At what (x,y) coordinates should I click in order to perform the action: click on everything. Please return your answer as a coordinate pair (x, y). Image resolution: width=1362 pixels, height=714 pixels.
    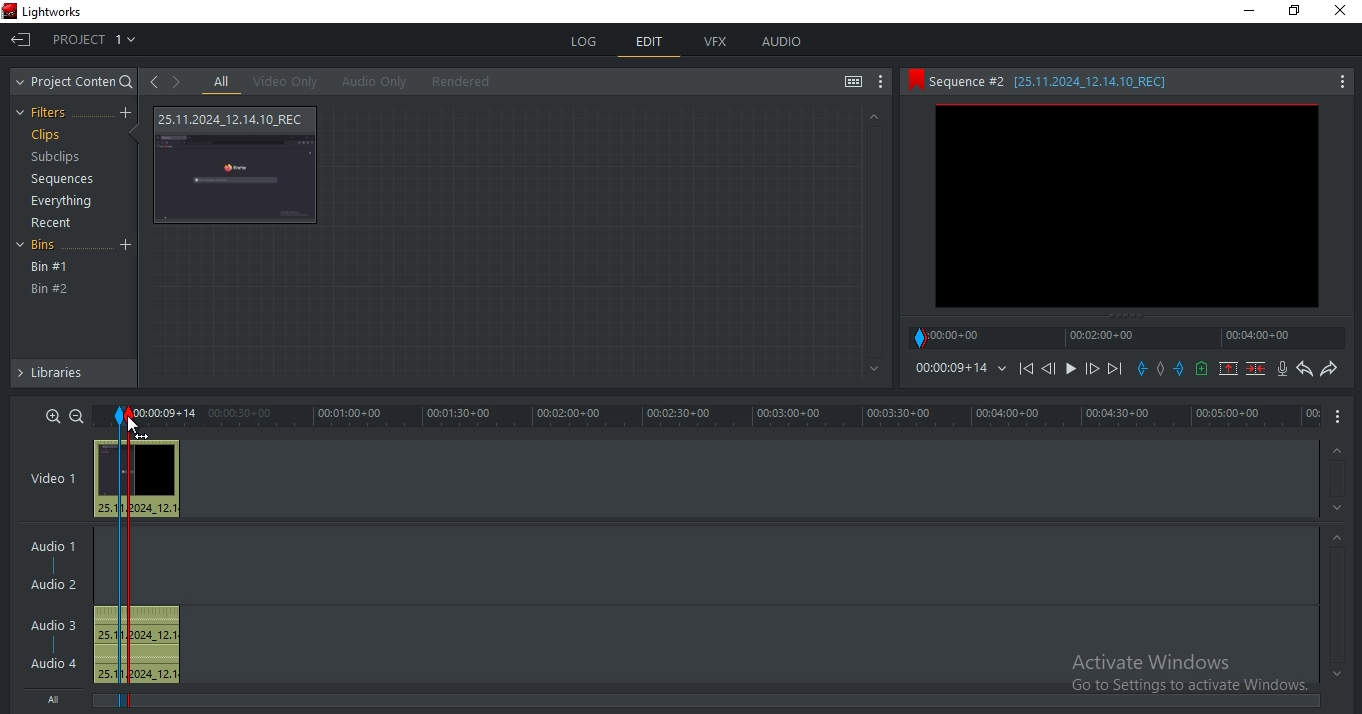
    Looking at the image, I should click on (65, 200).